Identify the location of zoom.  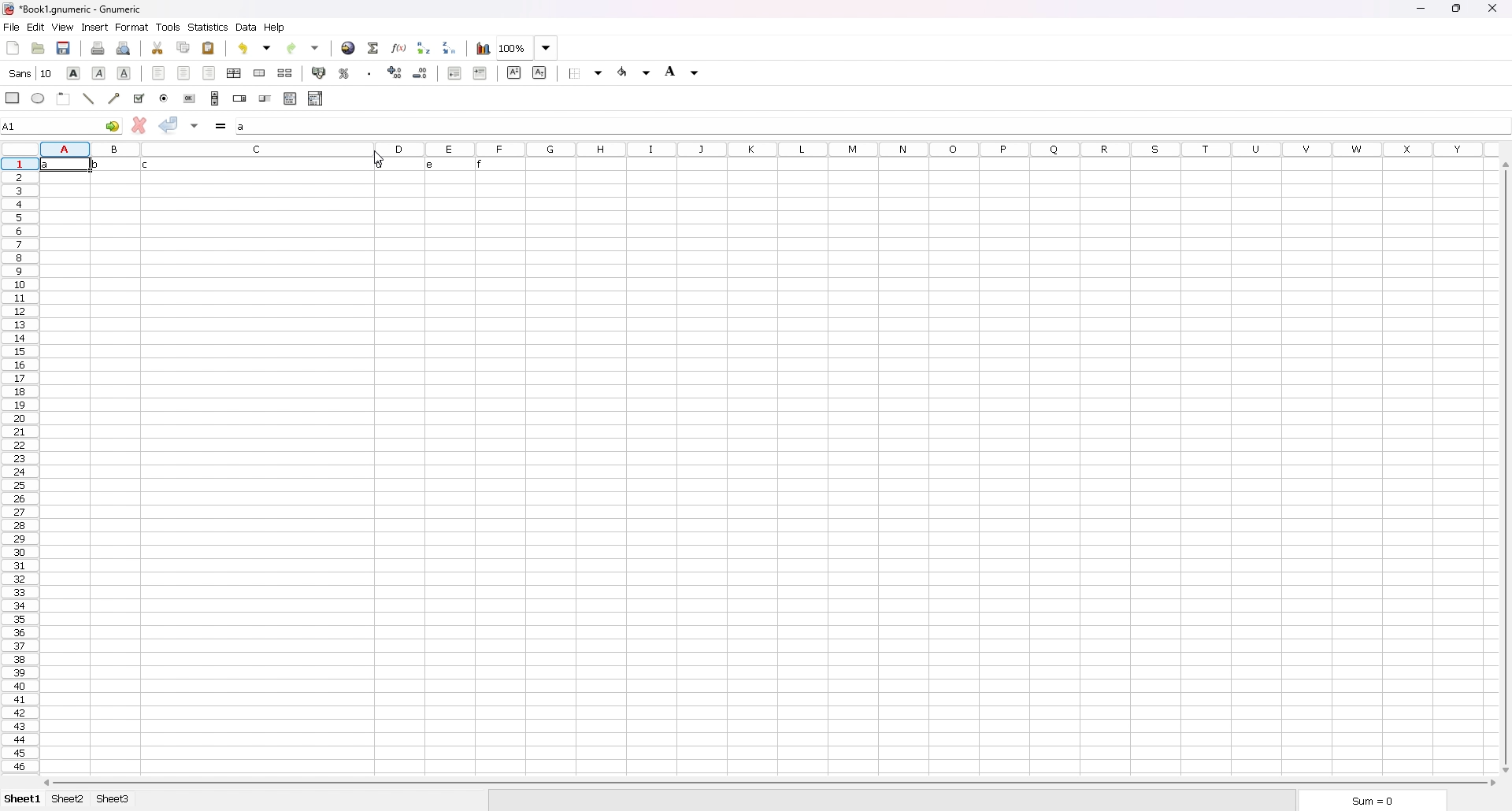
(528, 48).